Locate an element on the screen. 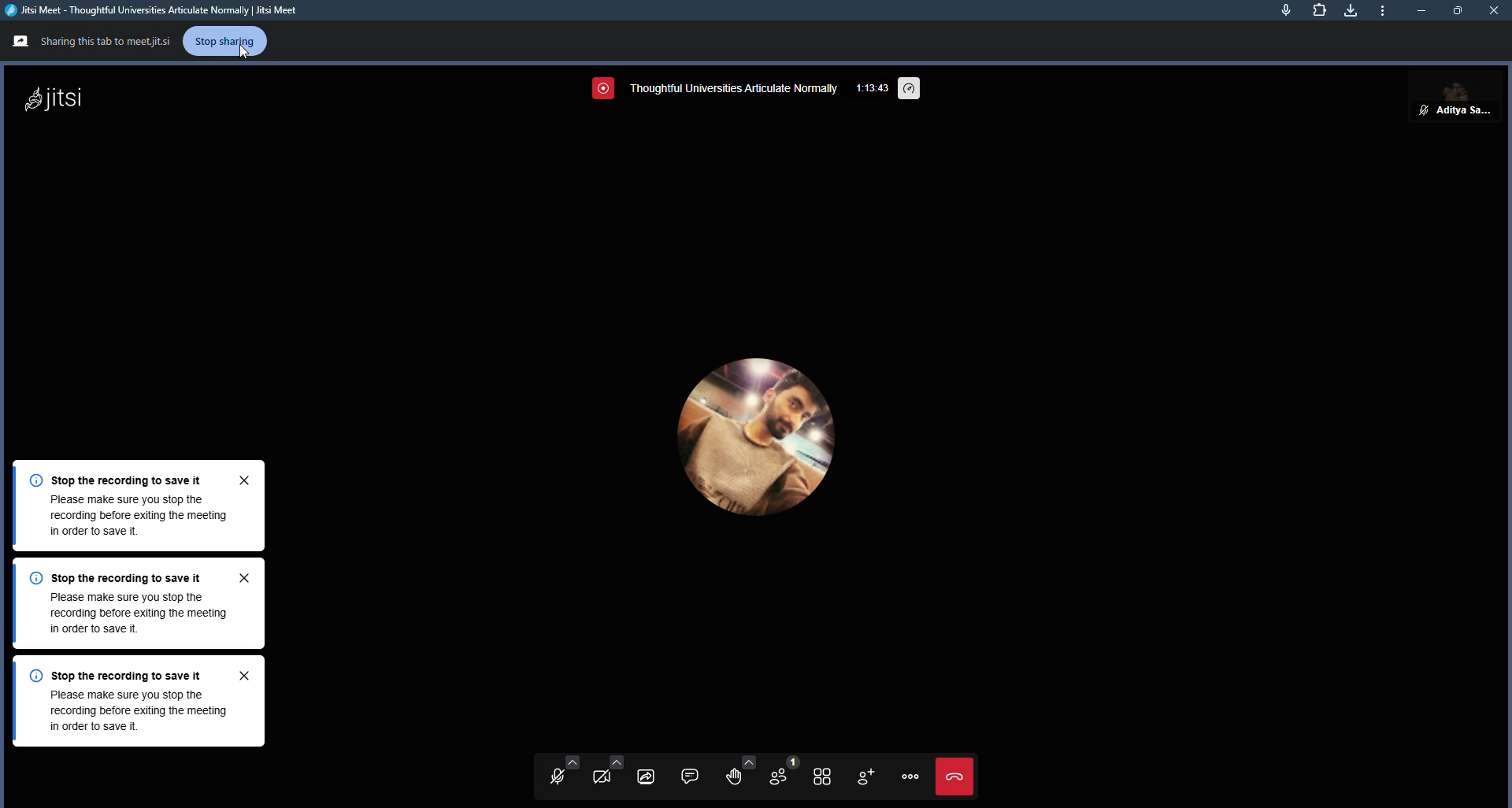 Image resolution: width=1512 pixels, height=808 pixels. raise hand is located at coordinates (728, 775).